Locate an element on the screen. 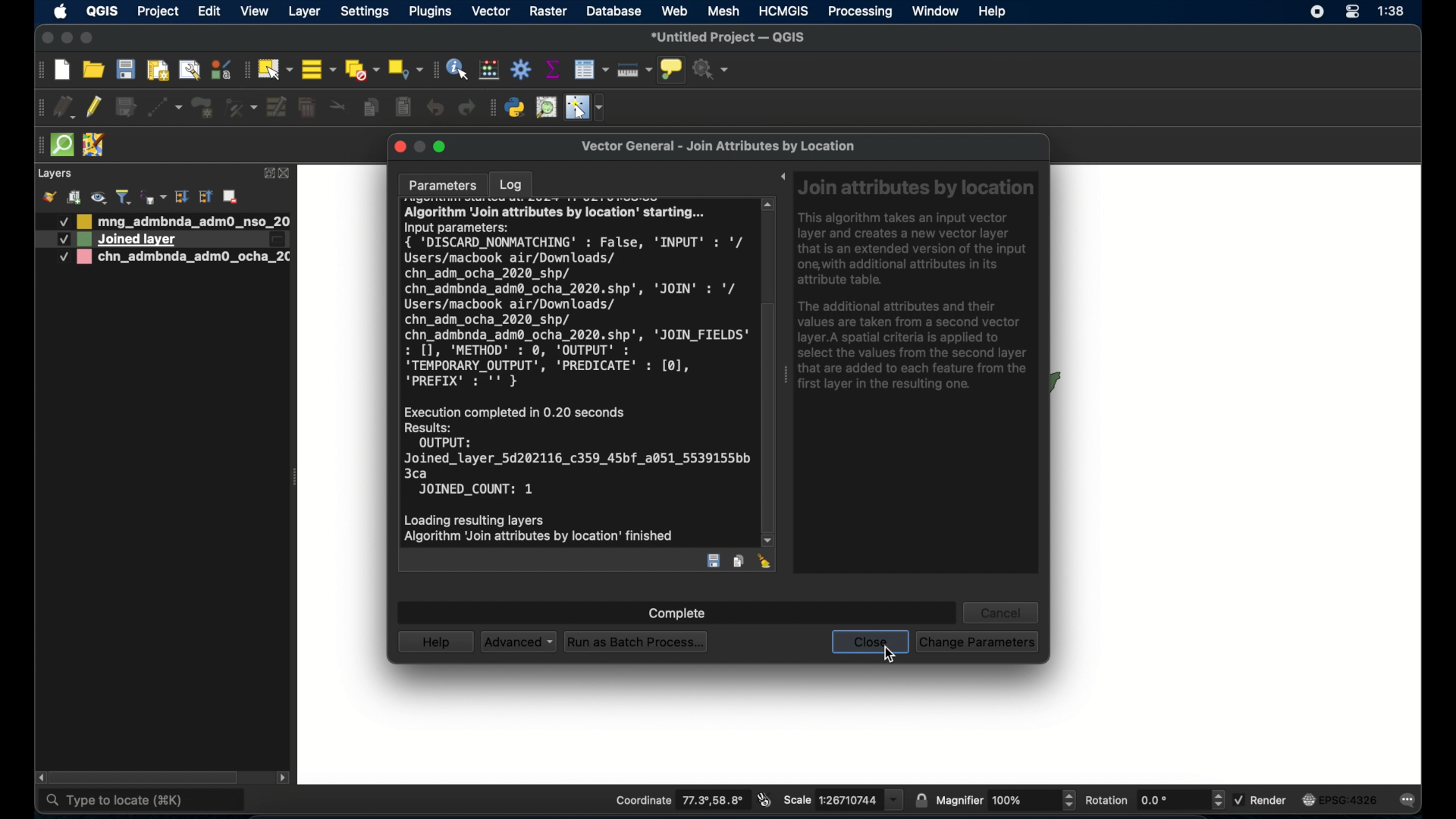  save entry is located at coordinates (714, 561).